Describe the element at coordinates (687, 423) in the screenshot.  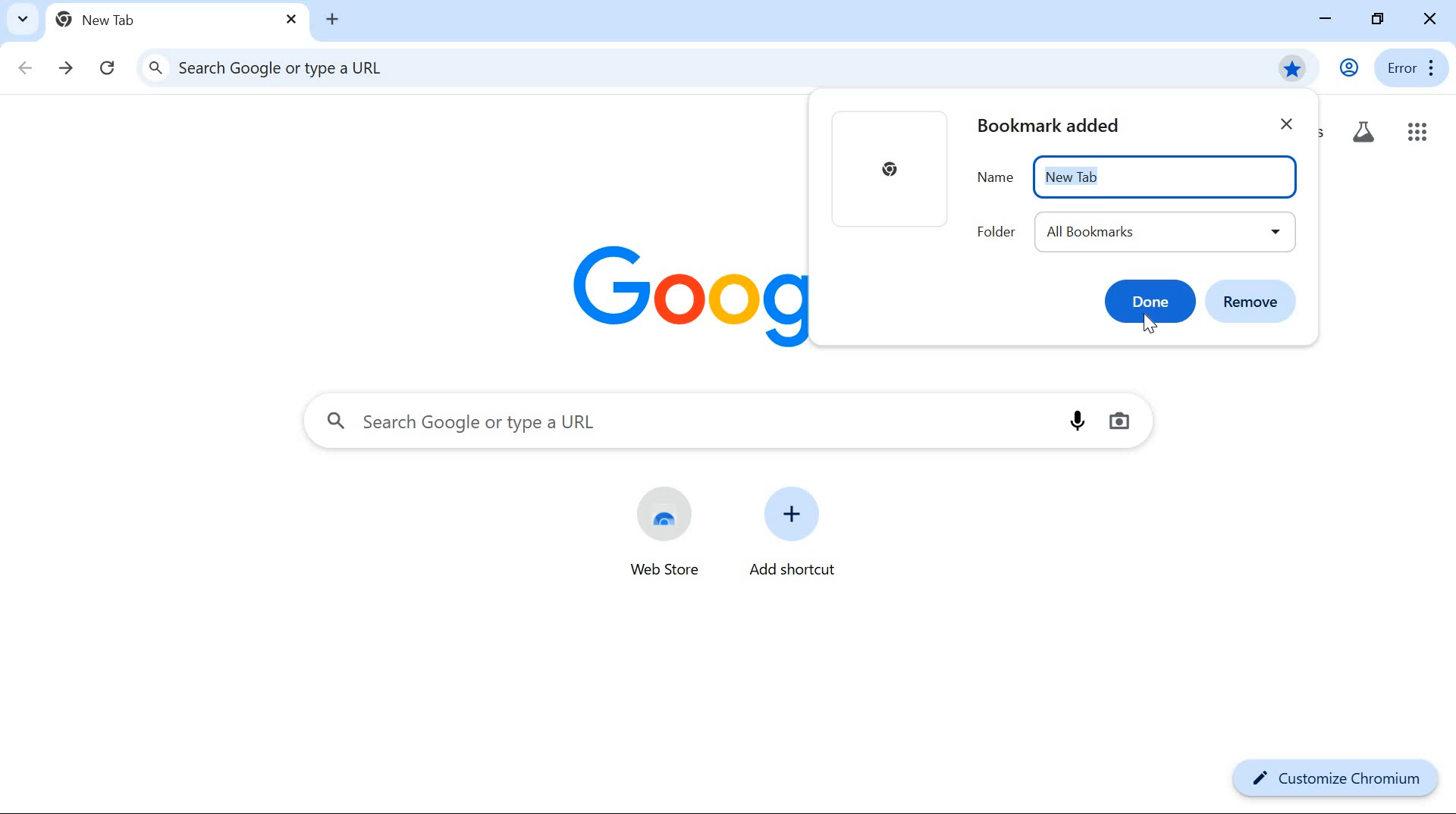
I see `search google or type a URL` at that location.